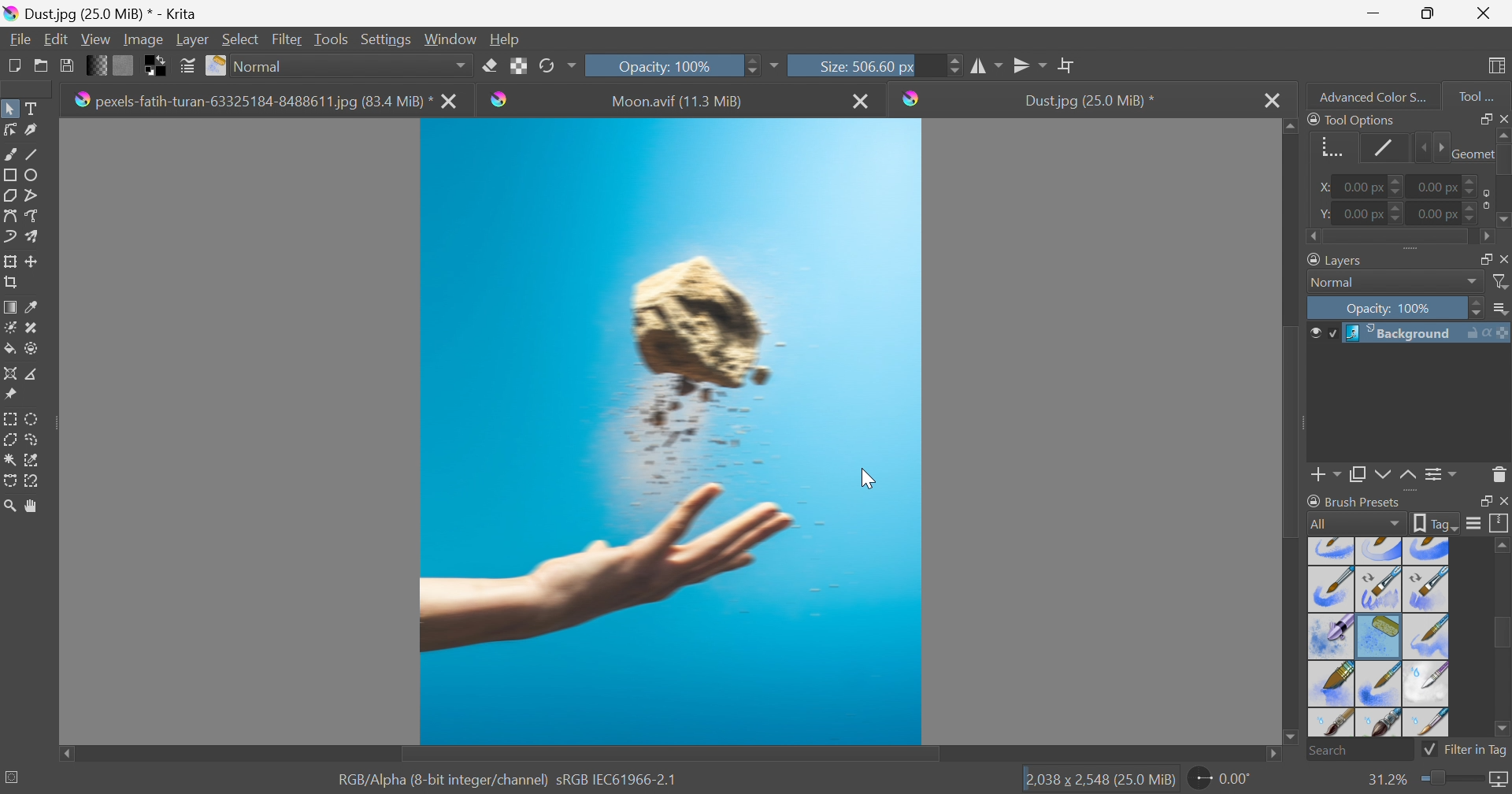 Image resolution: width=1512 pixels, height=794 pixels. Describe the element at coordinates (1480, 257) in the screenshot. I see `Layers` at that location.